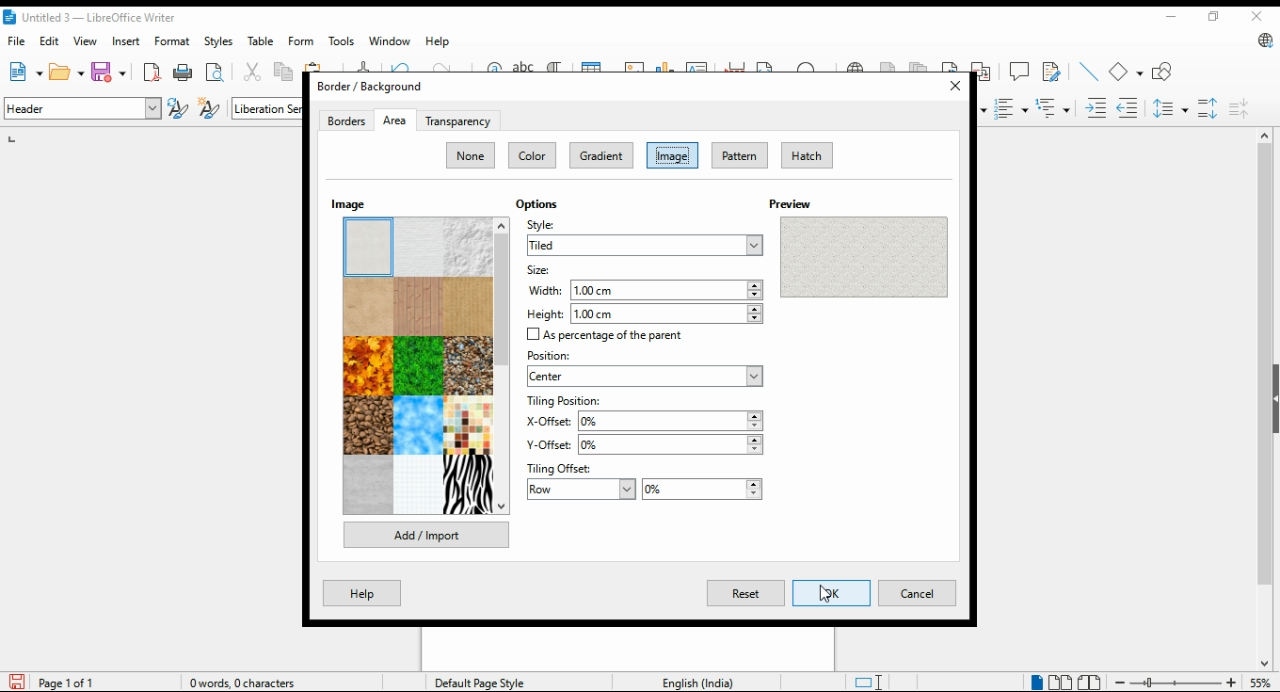 The height and width of the screenshot is (692, 1280). Describe the element at coordinates (981, 71) in the screenshot. I see `insert cross-reference` at that location.